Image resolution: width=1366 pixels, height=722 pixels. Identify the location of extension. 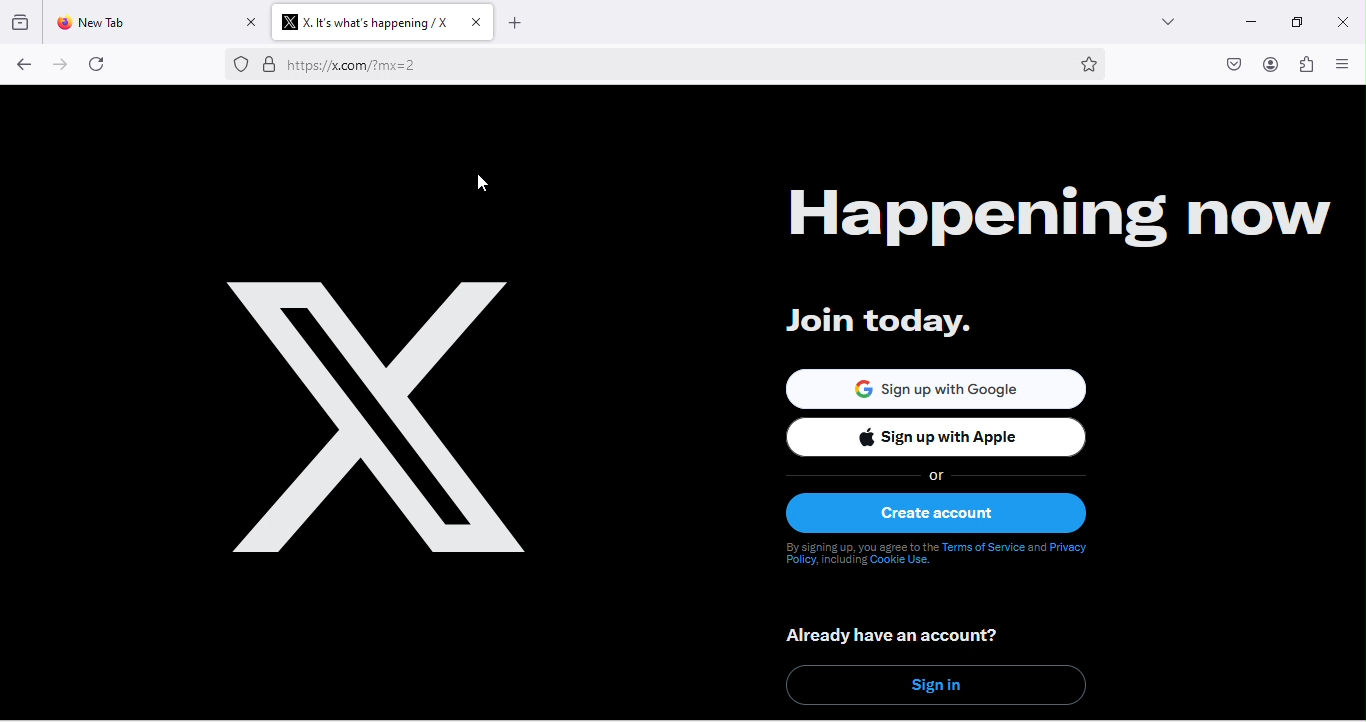
(1307, 65).